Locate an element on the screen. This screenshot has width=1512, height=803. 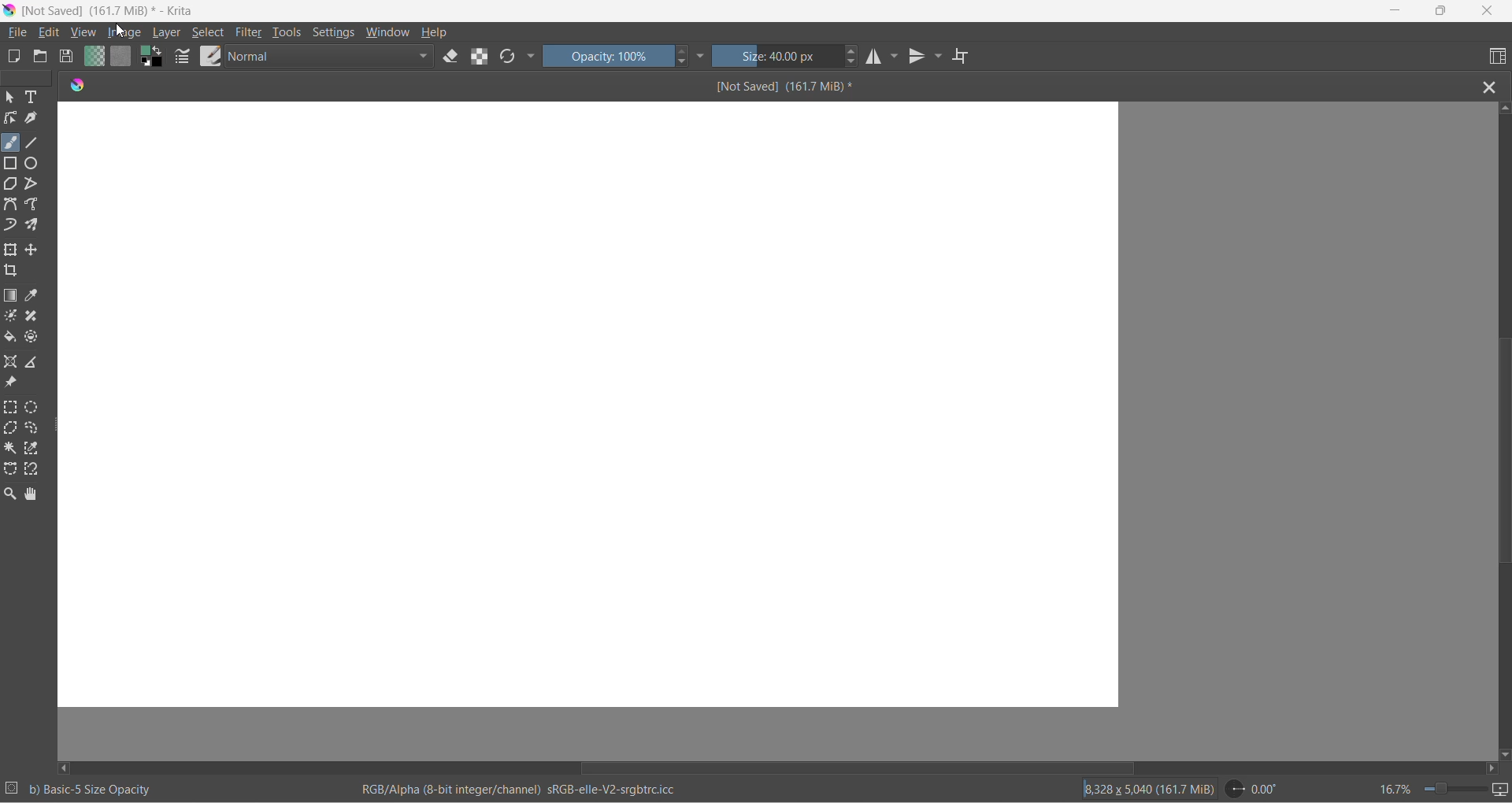
fill color is located at coordinates (11, 339).